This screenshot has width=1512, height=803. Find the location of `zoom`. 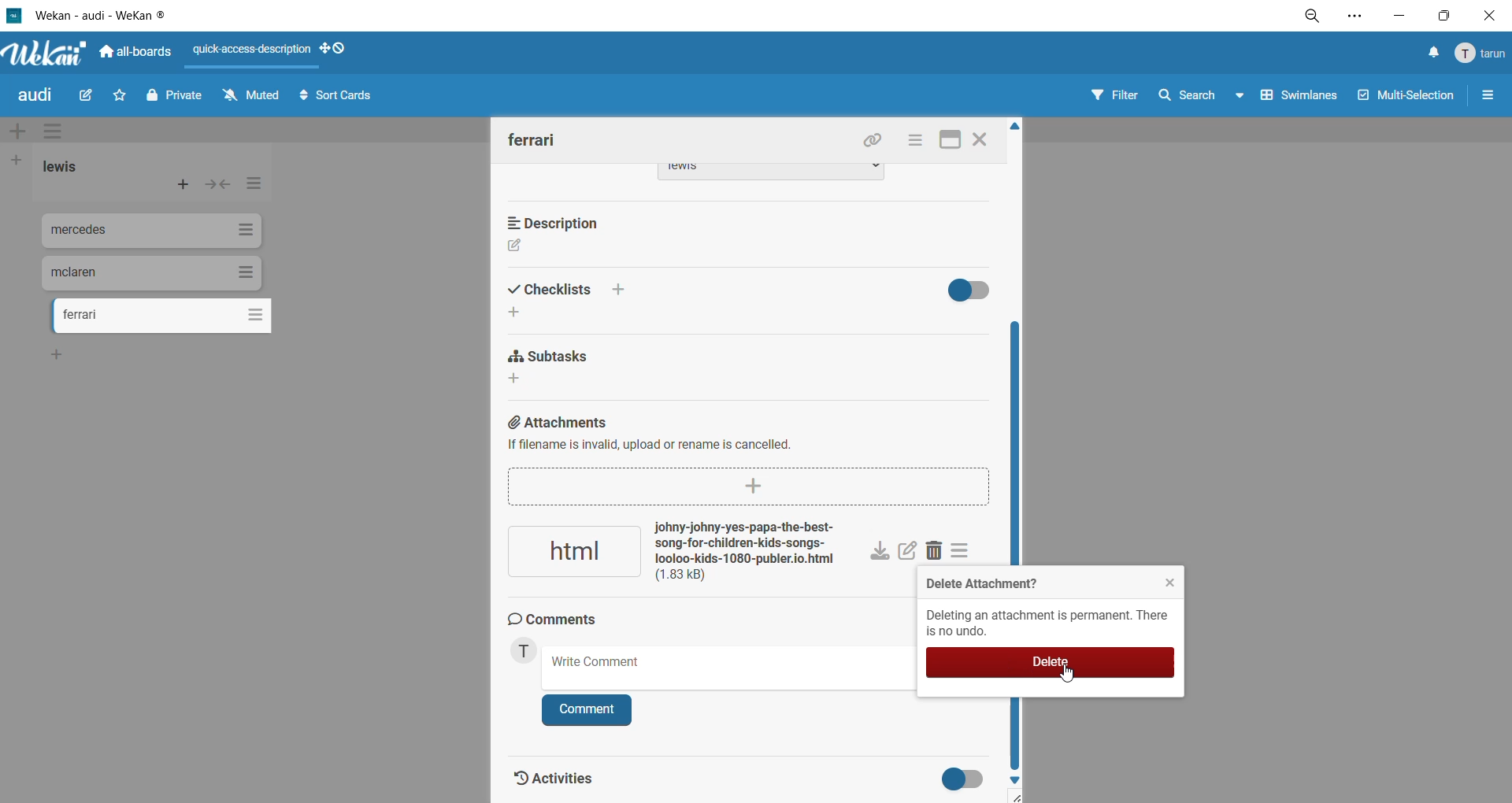

zoom is located at coordinates (1316, 16).